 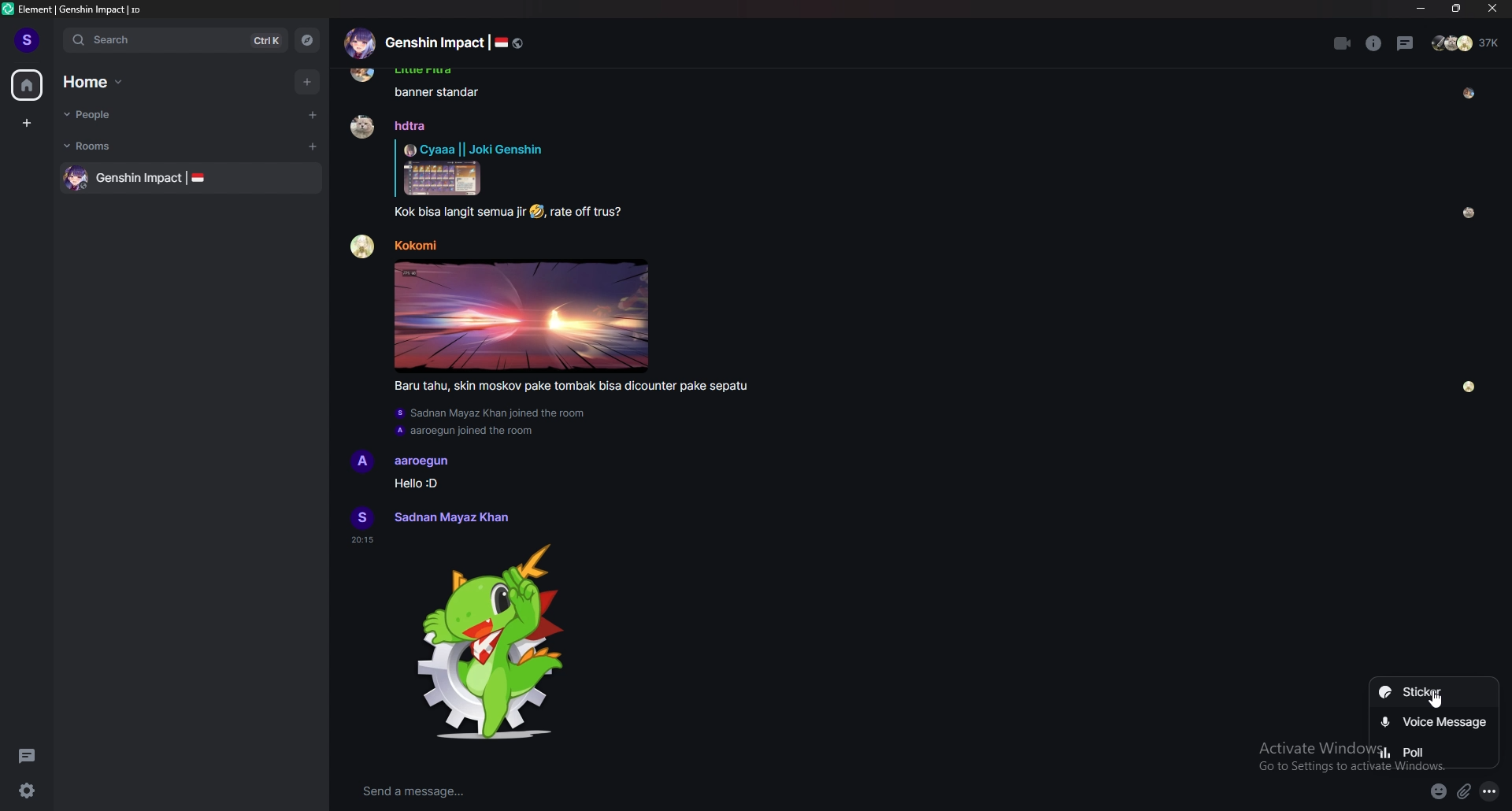 I want to click on threads, so click(x=1406, y=43).